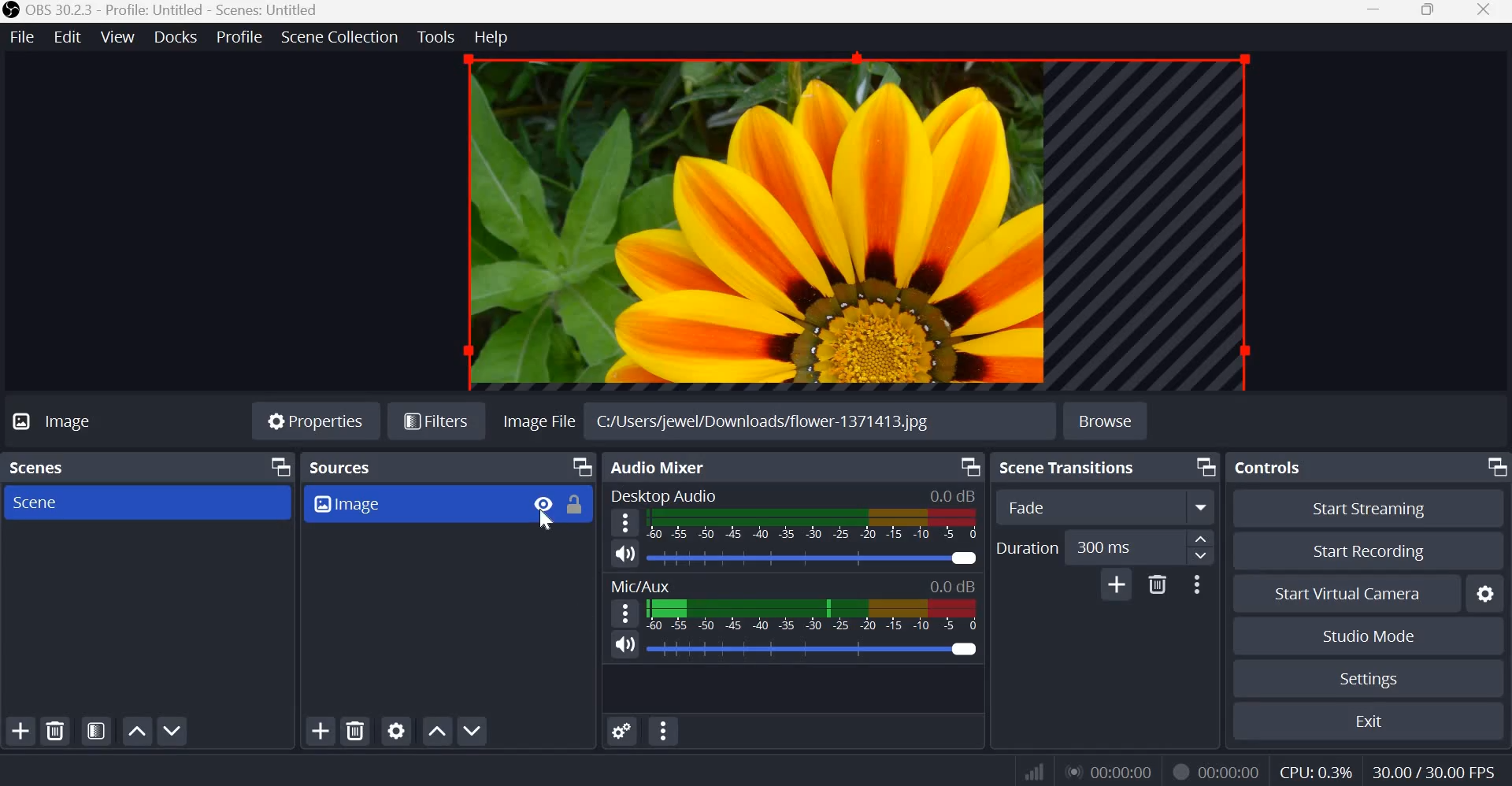  I want to click on Audio Slider, so click(815, 558).